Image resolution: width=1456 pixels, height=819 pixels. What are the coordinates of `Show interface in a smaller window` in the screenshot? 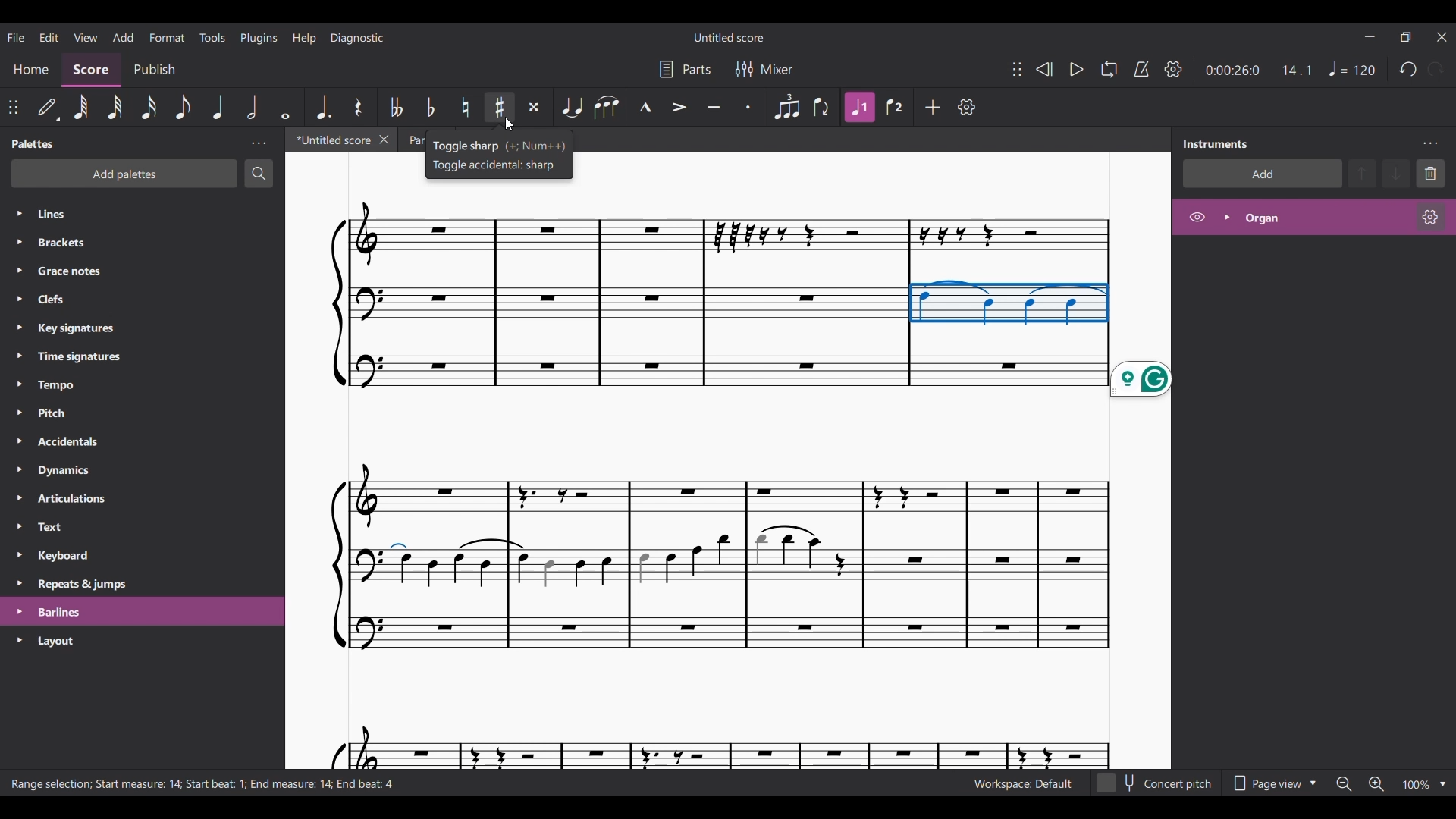 It's located at (1405, 37).